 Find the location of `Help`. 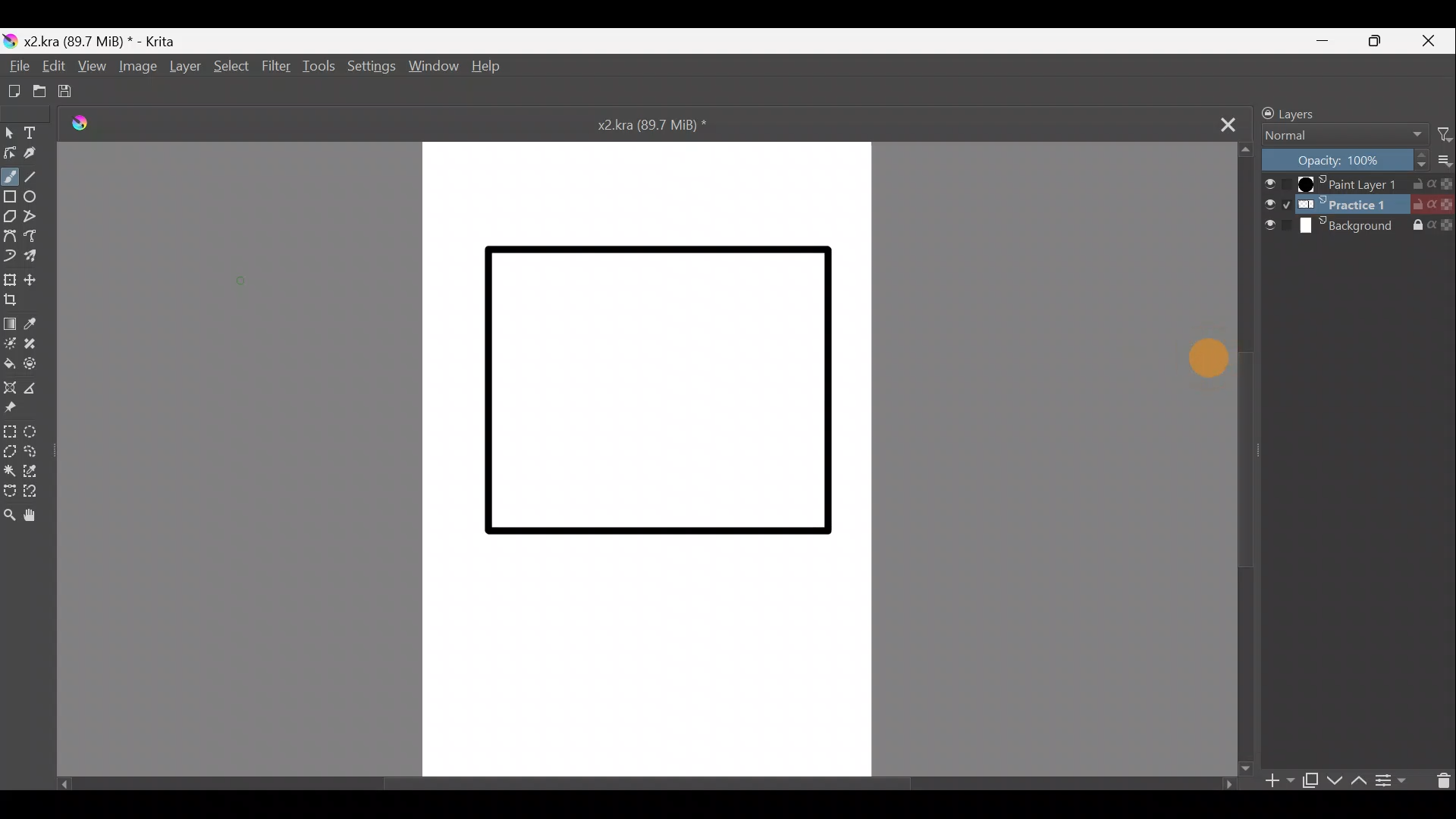

Help is located at coordinates (491, 65).